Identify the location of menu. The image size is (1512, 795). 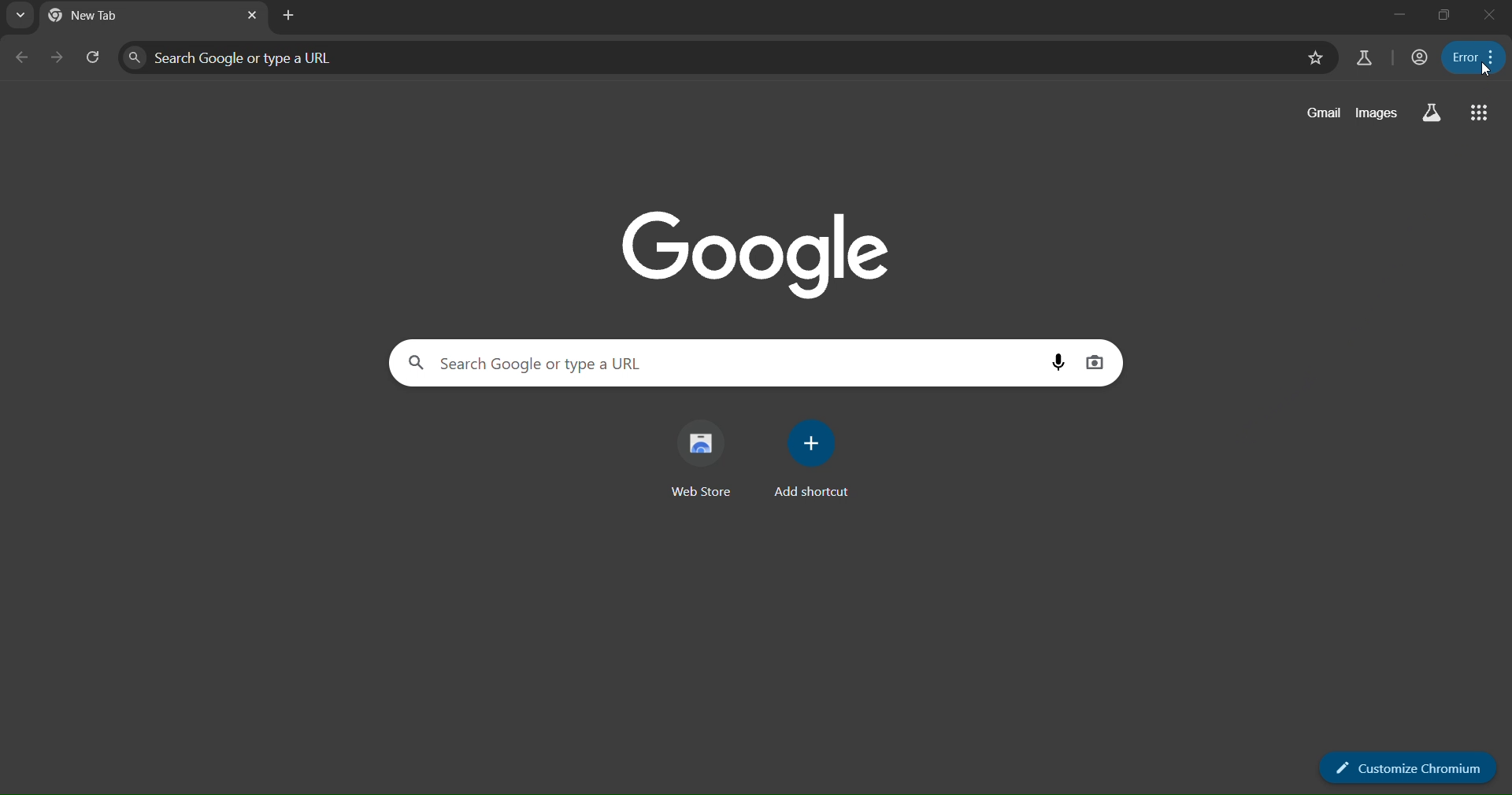
(1471, 57).